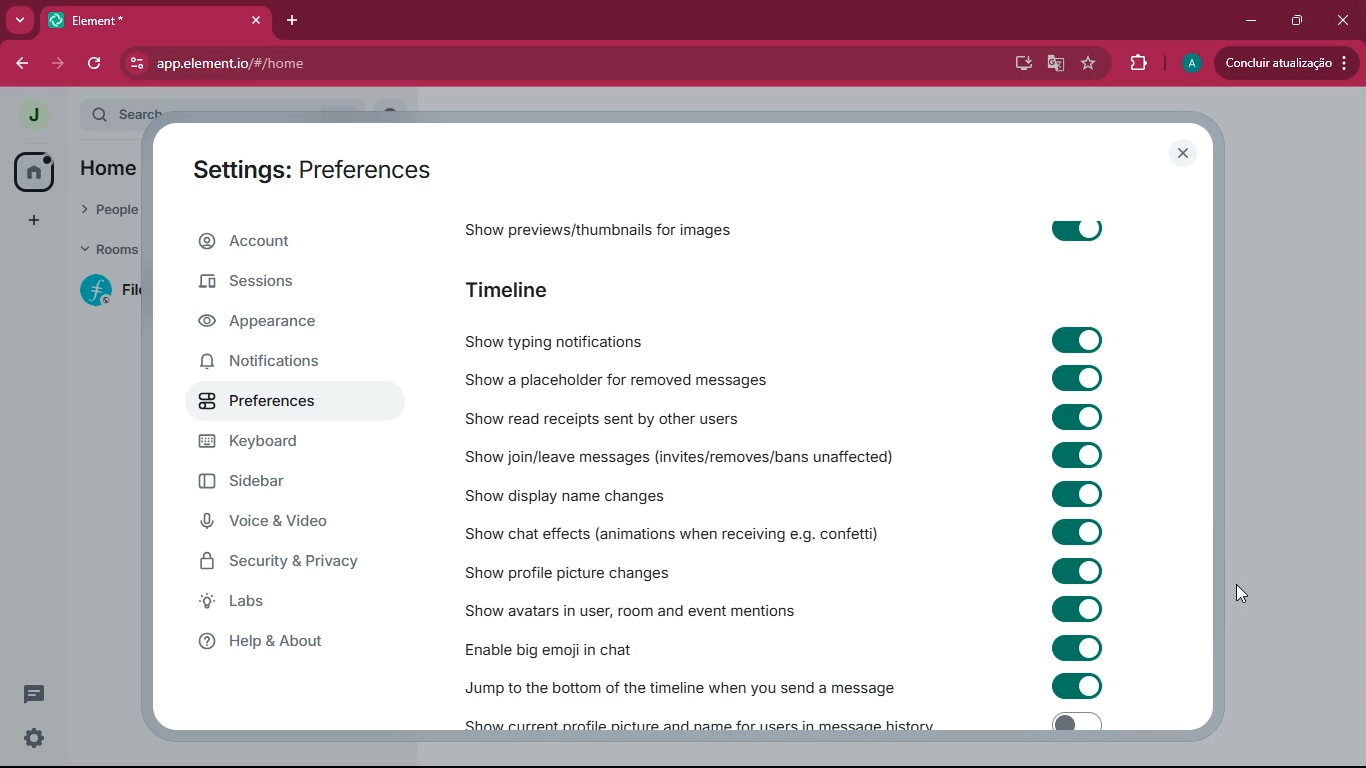  Describe the element at coordinates (283, 285) in the screenshot. I see `sessions` at that location.